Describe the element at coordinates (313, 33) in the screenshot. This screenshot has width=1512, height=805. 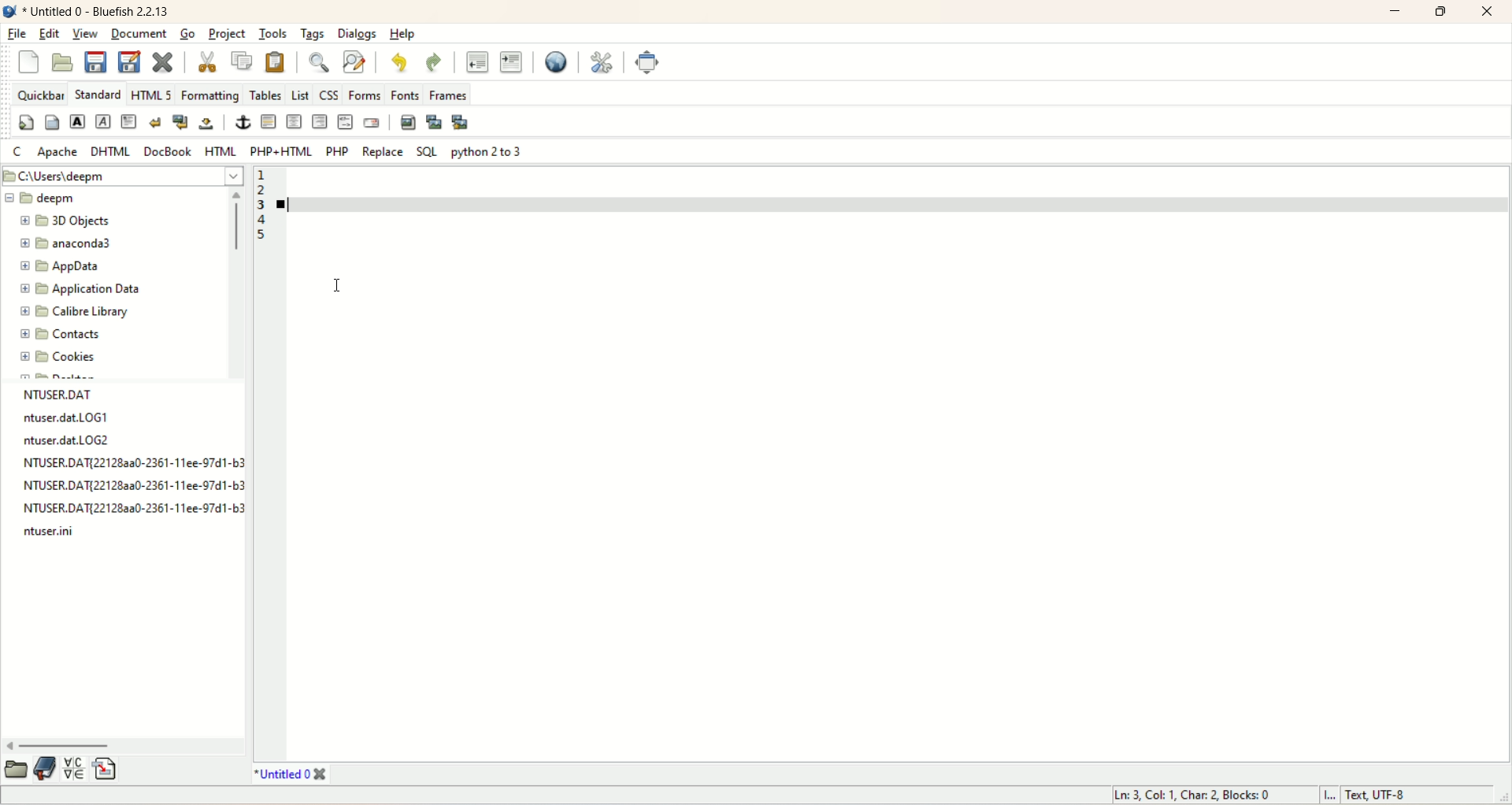
I see `tags` at that location.